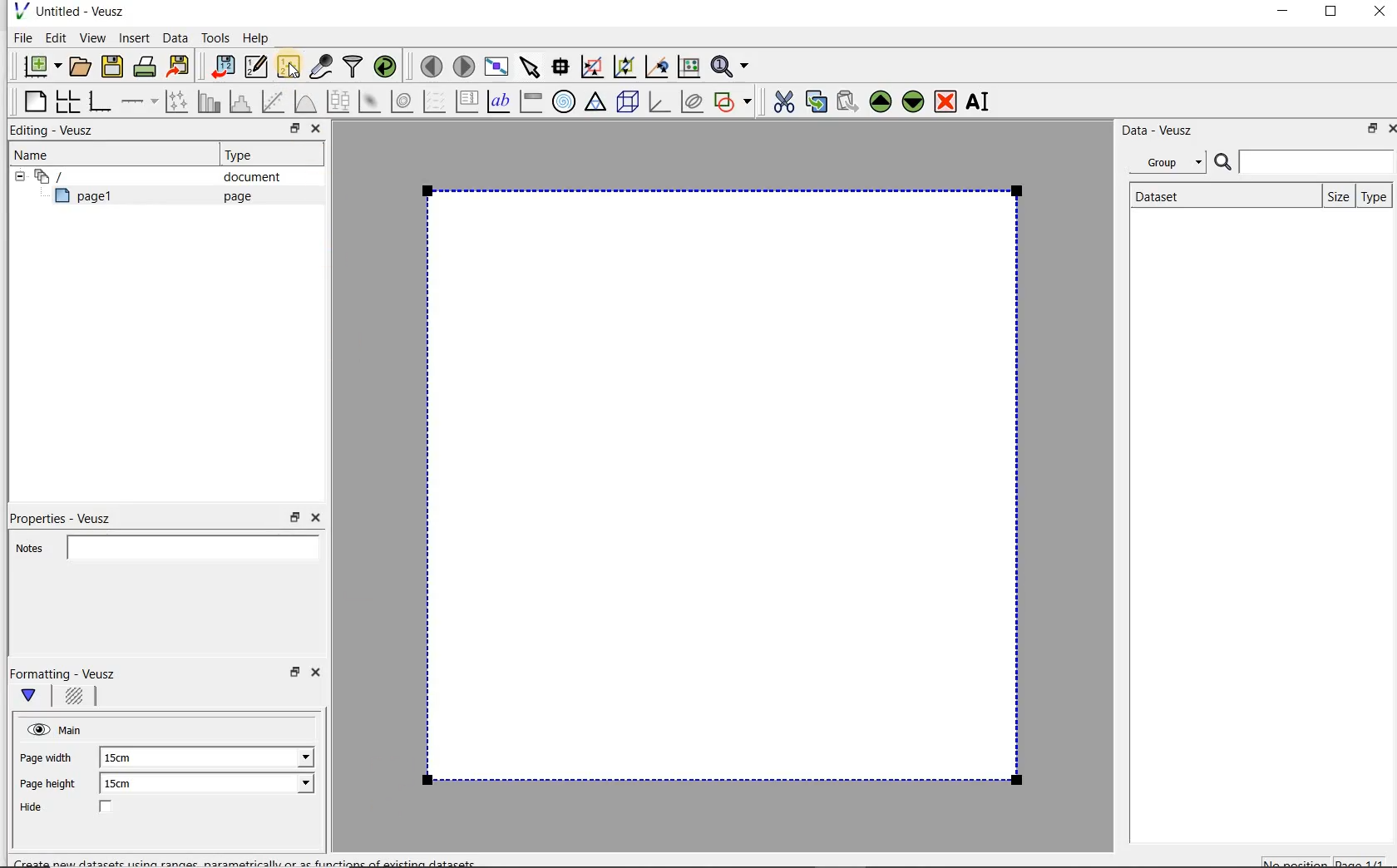 Image resolution: width=1397 pixels, height=868 pixels. What do you see at coordinates (464, 67) in the screenshot?
I see `move to the next page` at bounding box center [464, 67].